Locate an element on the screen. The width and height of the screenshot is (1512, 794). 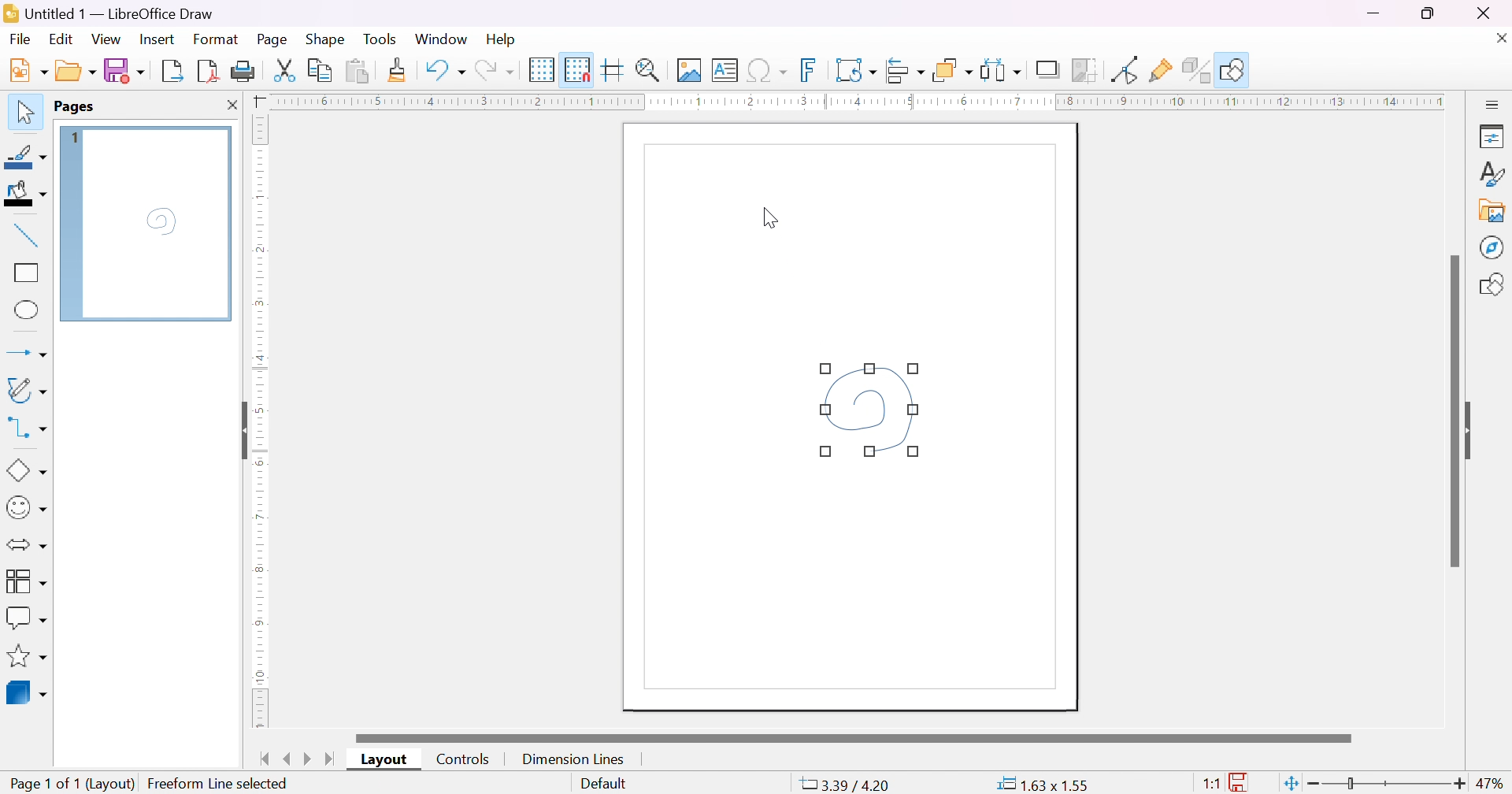
restore down is located at coordinates (1429, 13).